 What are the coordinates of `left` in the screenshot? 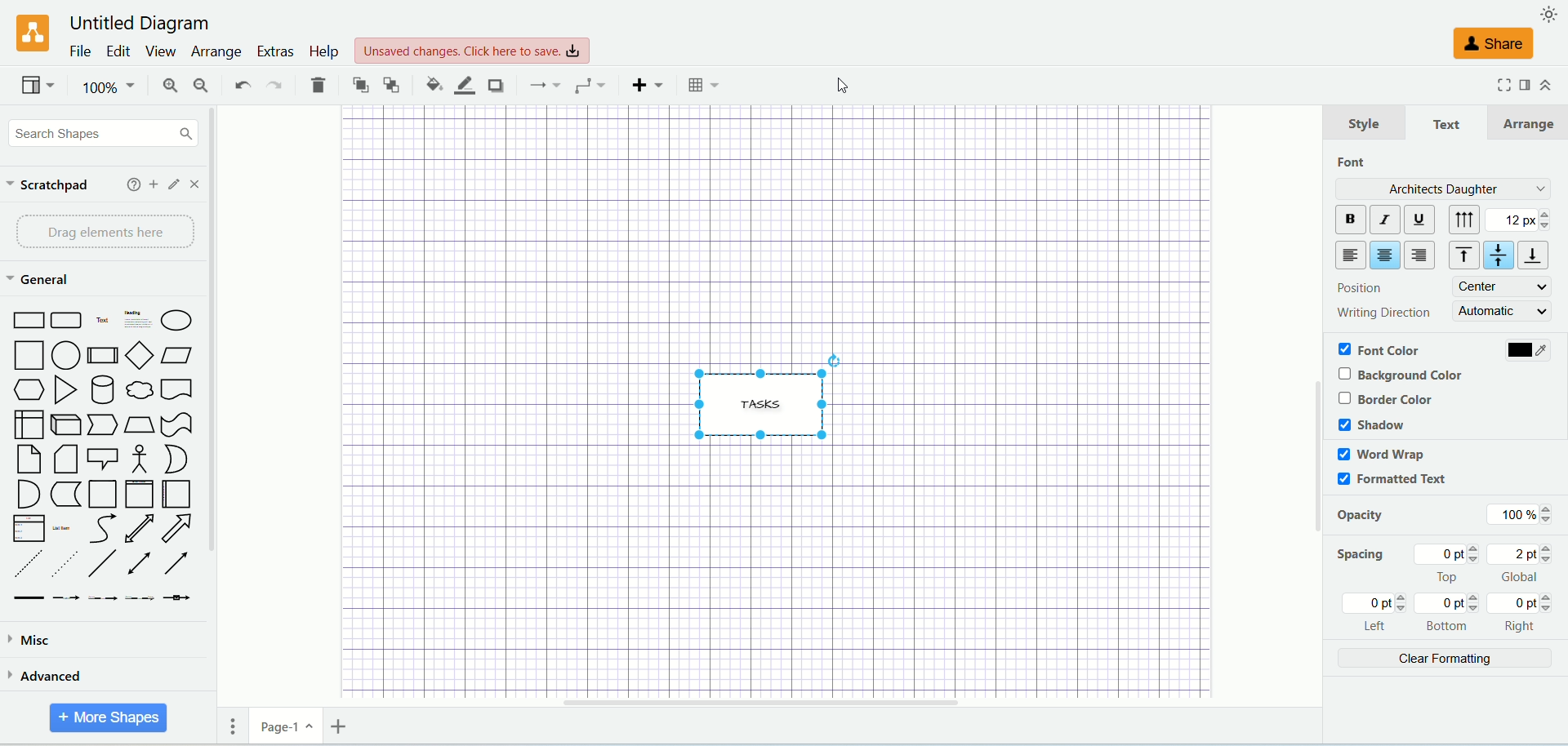 It's located at (1351, 255).